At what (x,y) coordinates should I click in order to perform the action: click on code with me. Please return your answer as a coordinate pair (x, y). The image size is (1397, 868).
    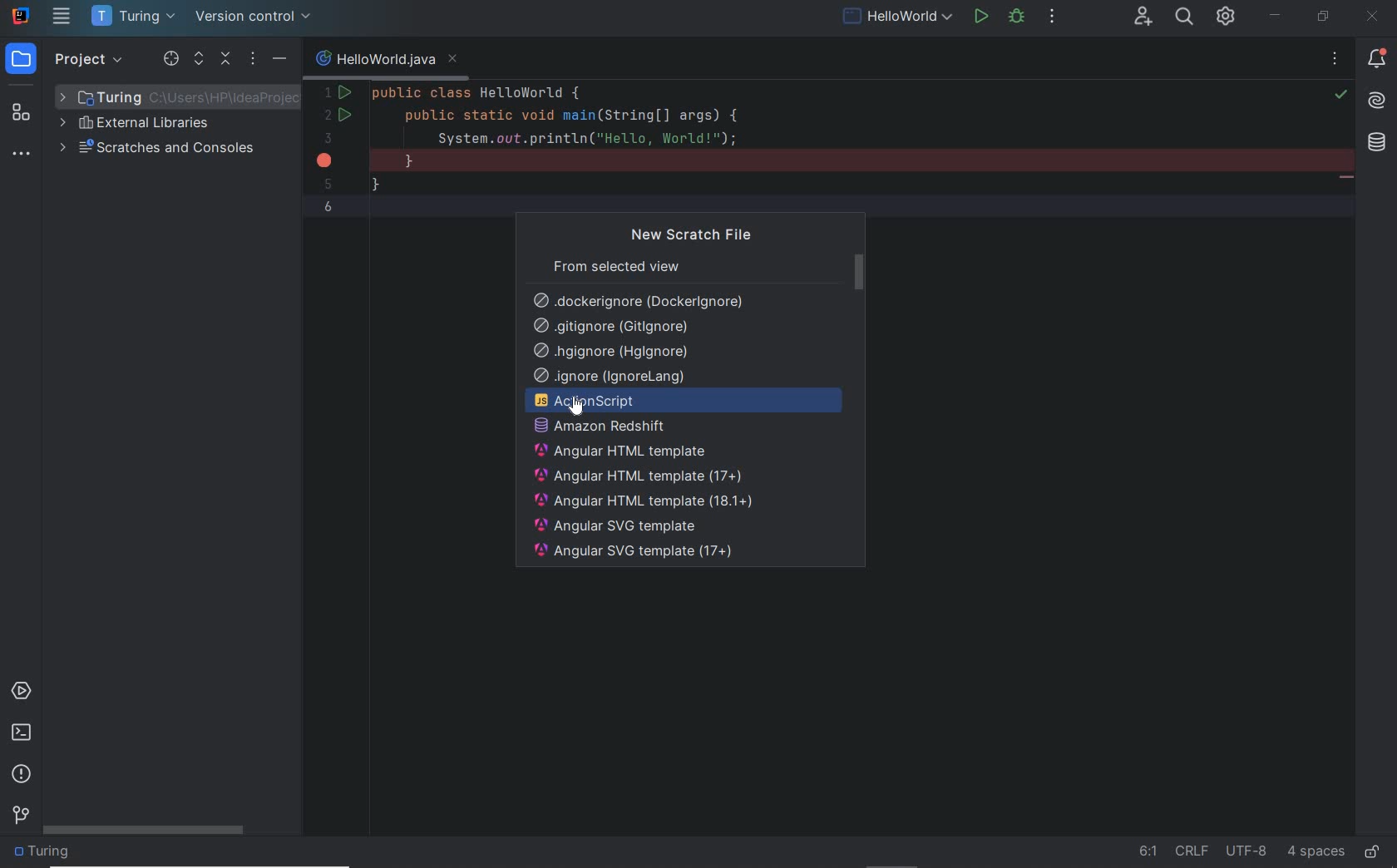
    Looking at the image, I should click on (1143, 17).